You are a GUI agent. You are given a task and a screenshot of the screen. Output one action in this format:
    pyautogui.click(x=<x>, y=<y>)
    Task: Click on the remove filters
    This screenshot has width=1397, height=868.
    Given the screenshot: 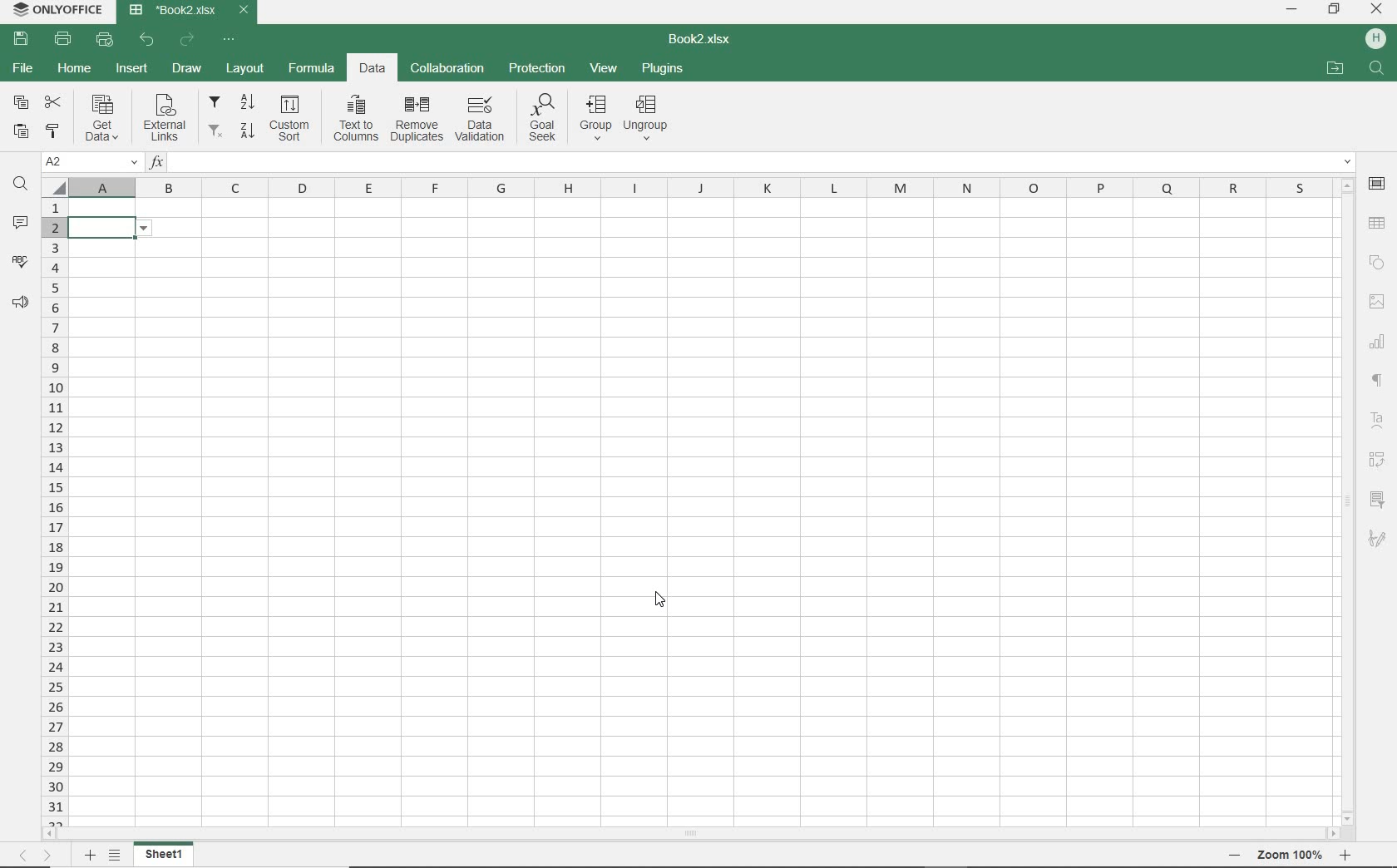 What is the action you would take?
    pyautogui.click(x=217, y=133)
    